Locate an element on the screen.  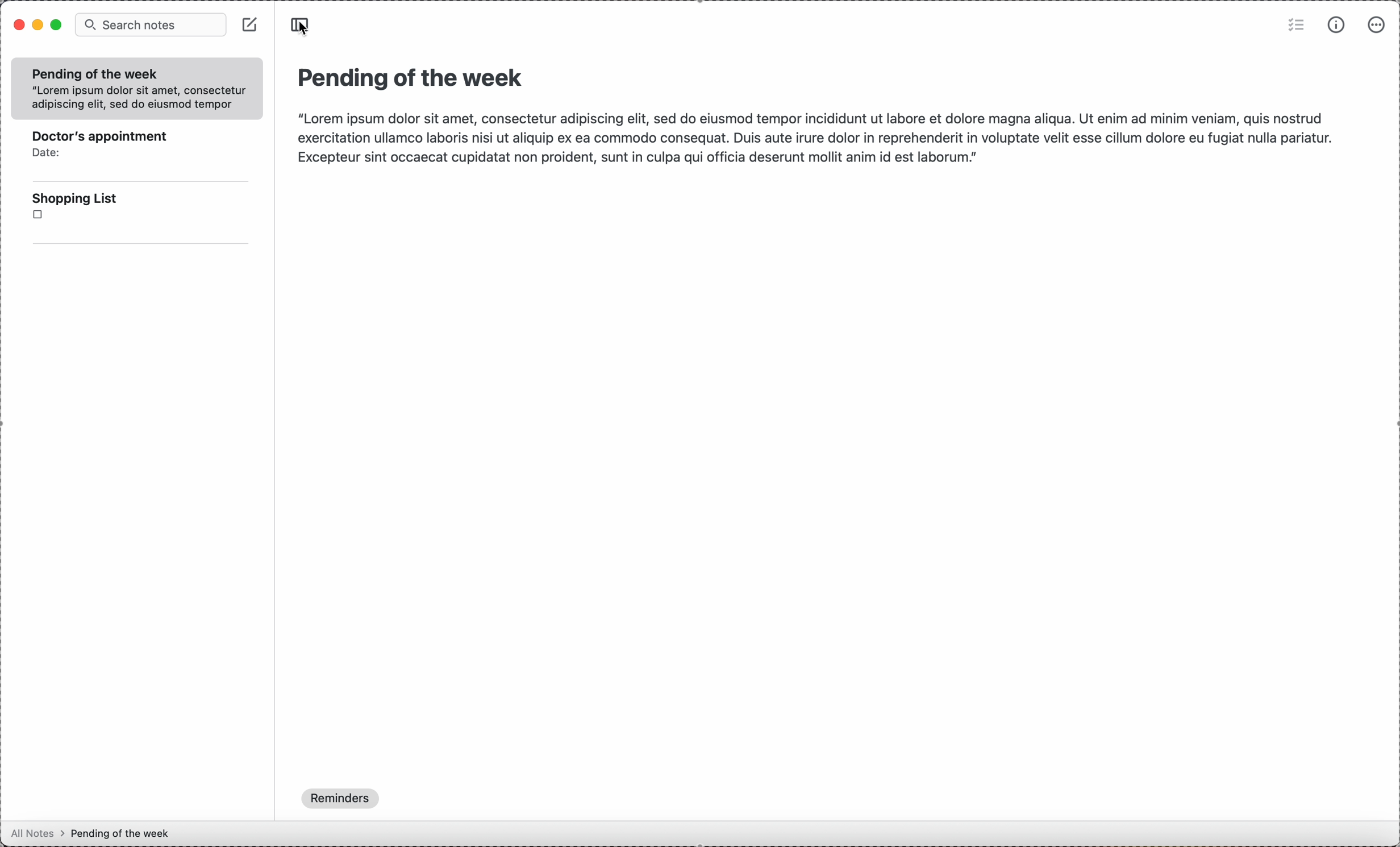
pending of the week is located at coordinates (407, 77).